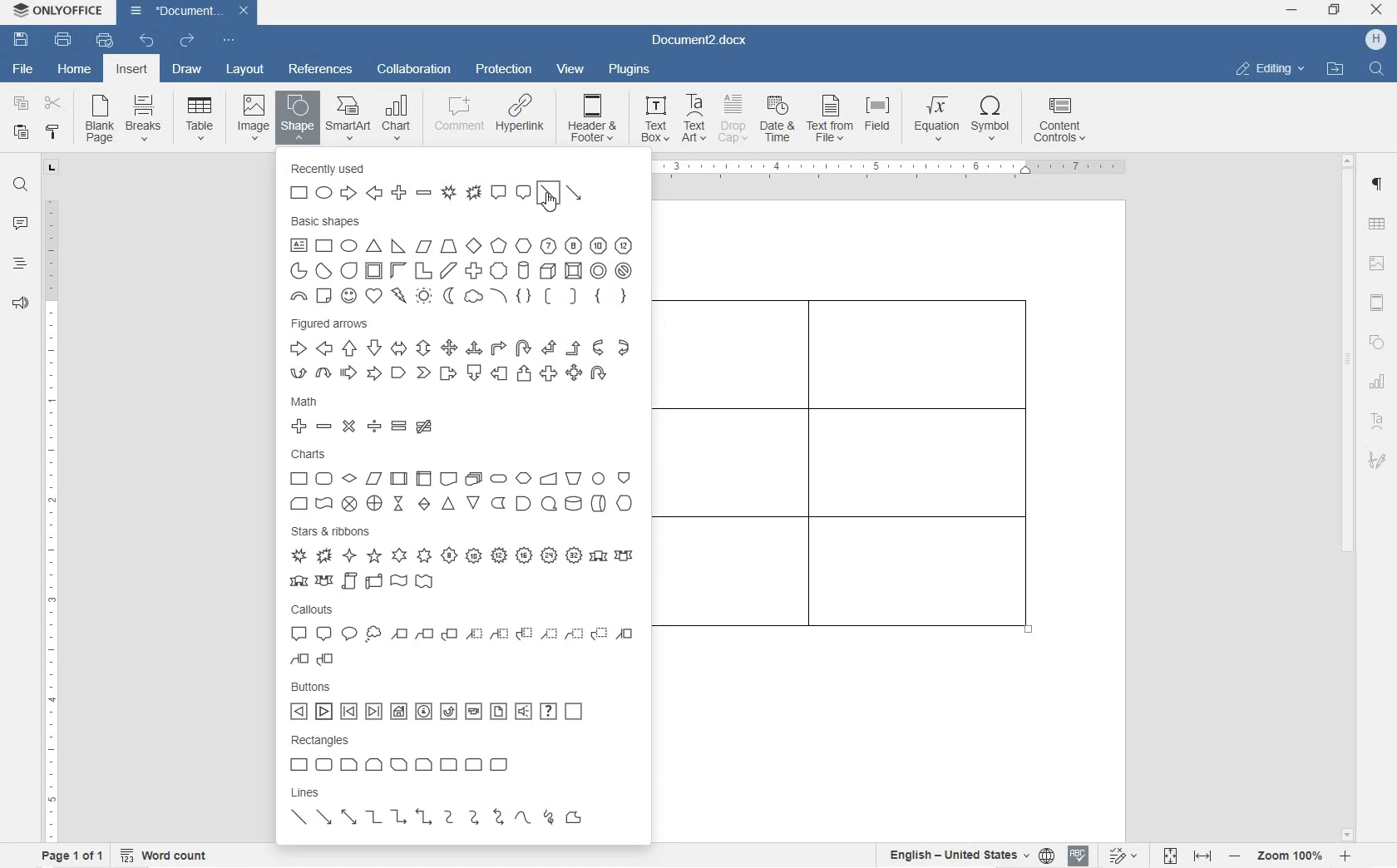  What do you see at coordinates (630, 72) in the screenshot?
I see `plugins` at bounding box center [630, 72].